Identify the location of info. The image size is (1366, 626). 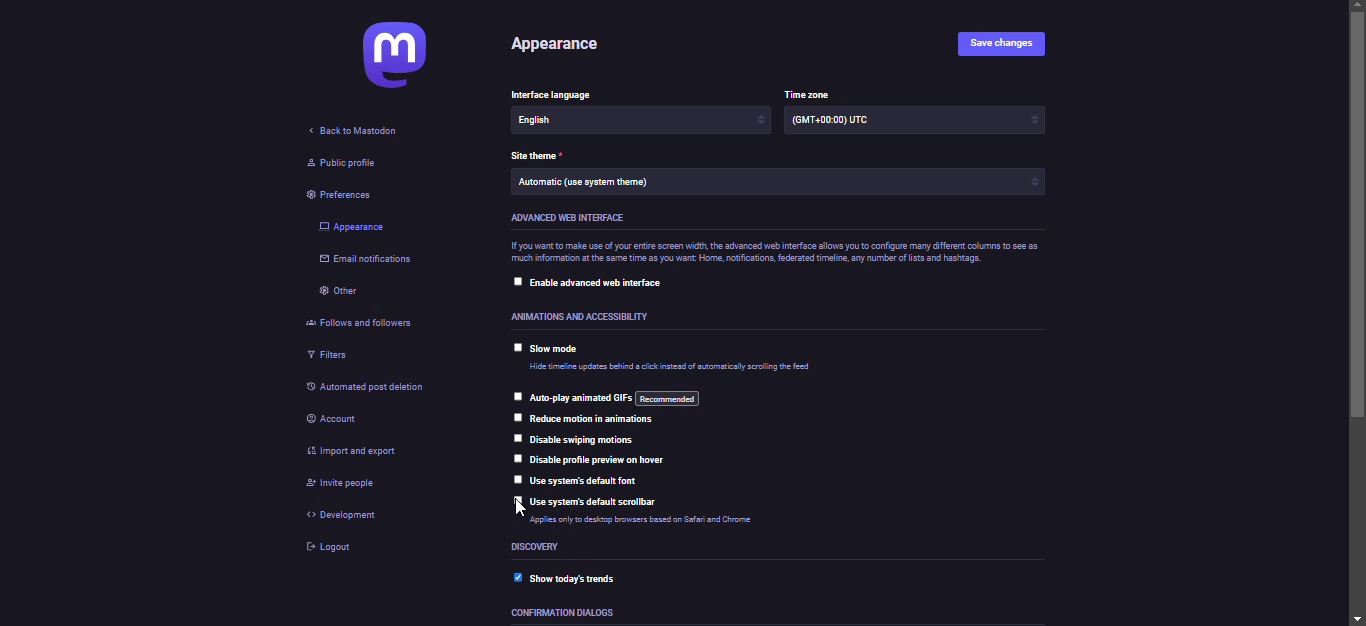
(775, 253).